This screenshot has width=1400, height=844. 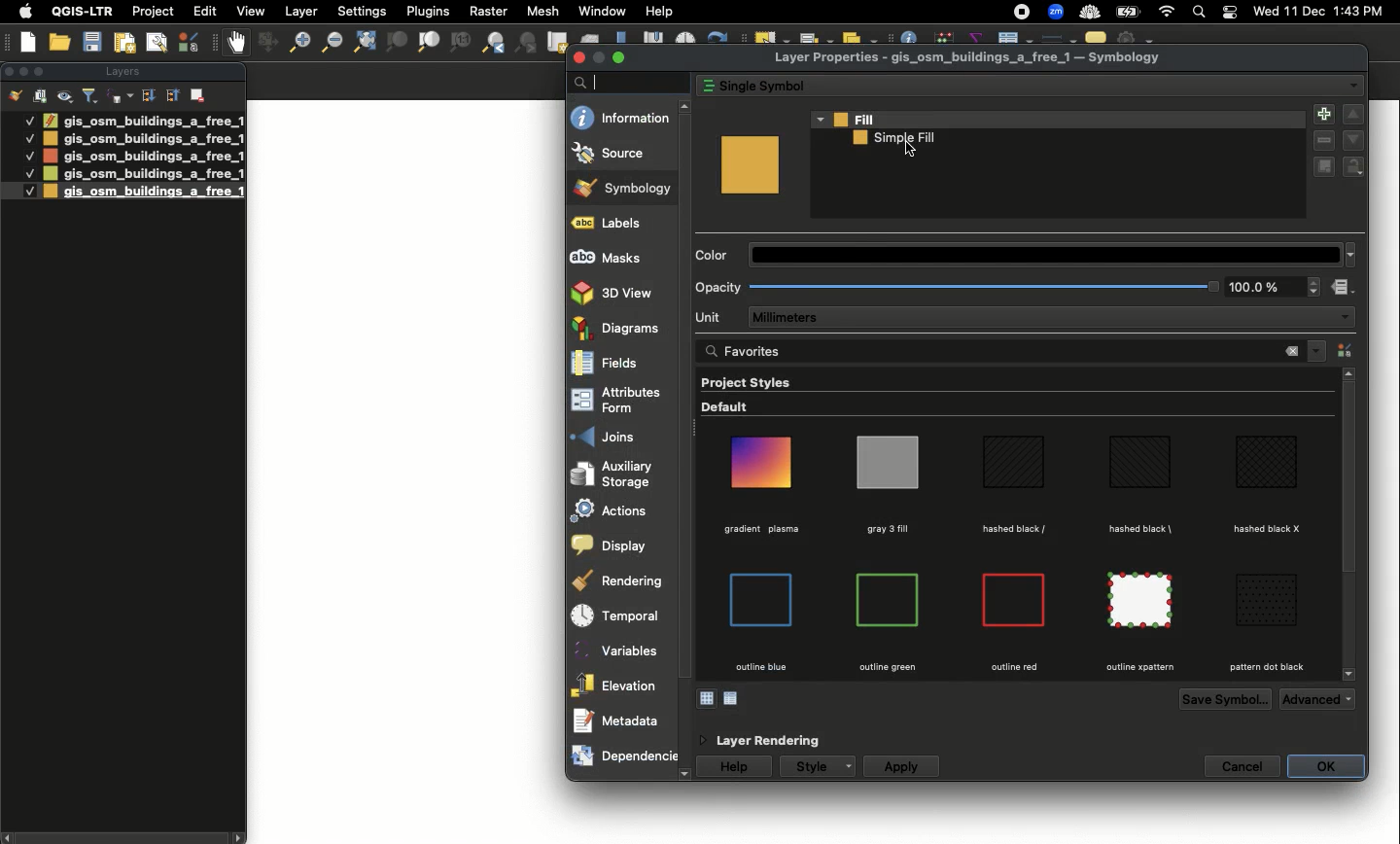 I want to click on 100.0%, so click(x=1253, y=288).